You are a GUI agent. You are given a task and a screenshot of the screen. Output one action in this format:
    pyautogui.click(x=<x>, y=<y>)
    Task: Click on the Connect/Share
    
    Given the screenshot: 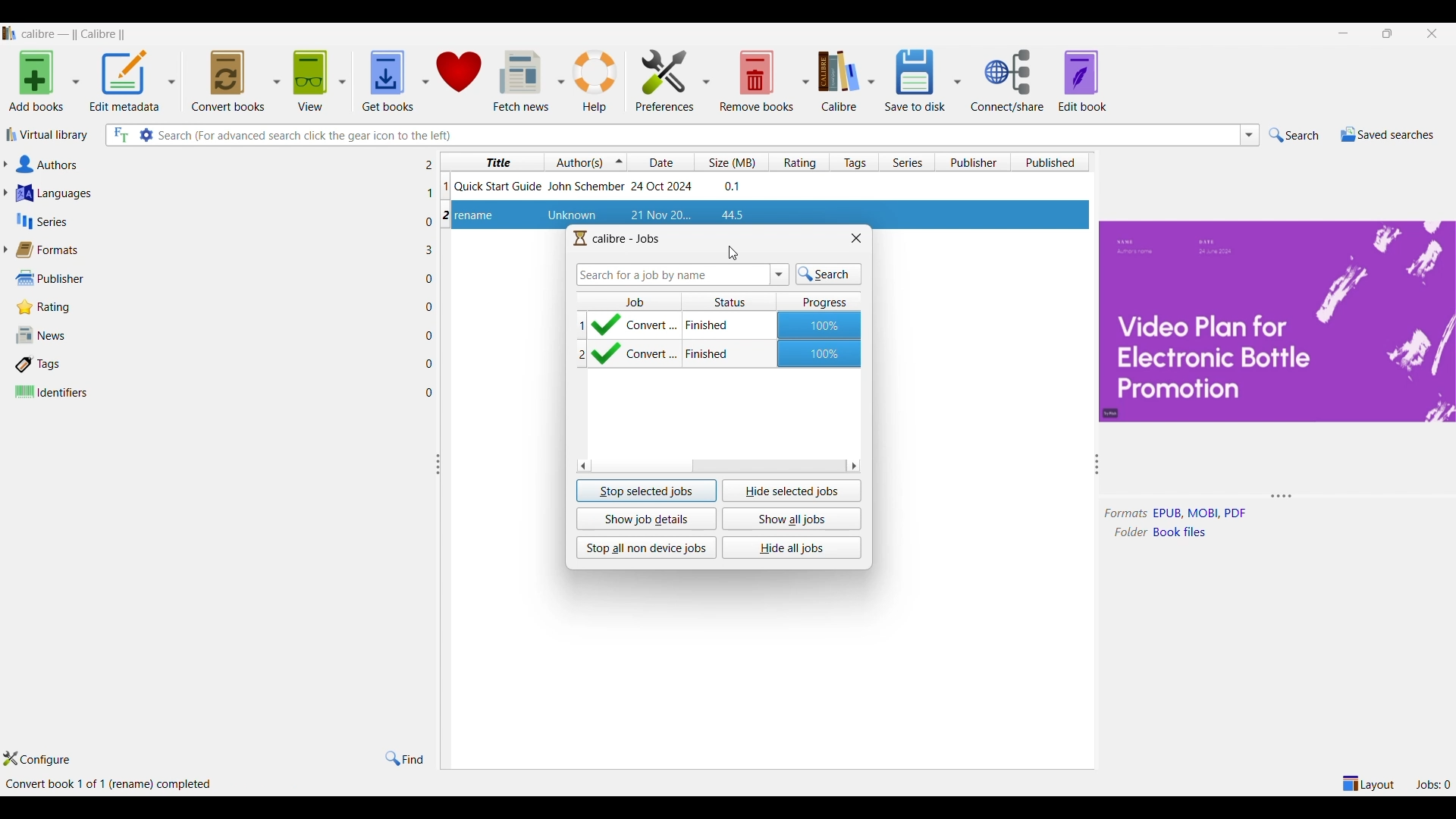 What is the action you would take?
    pyautogui.click(x=1007, y=80)
    